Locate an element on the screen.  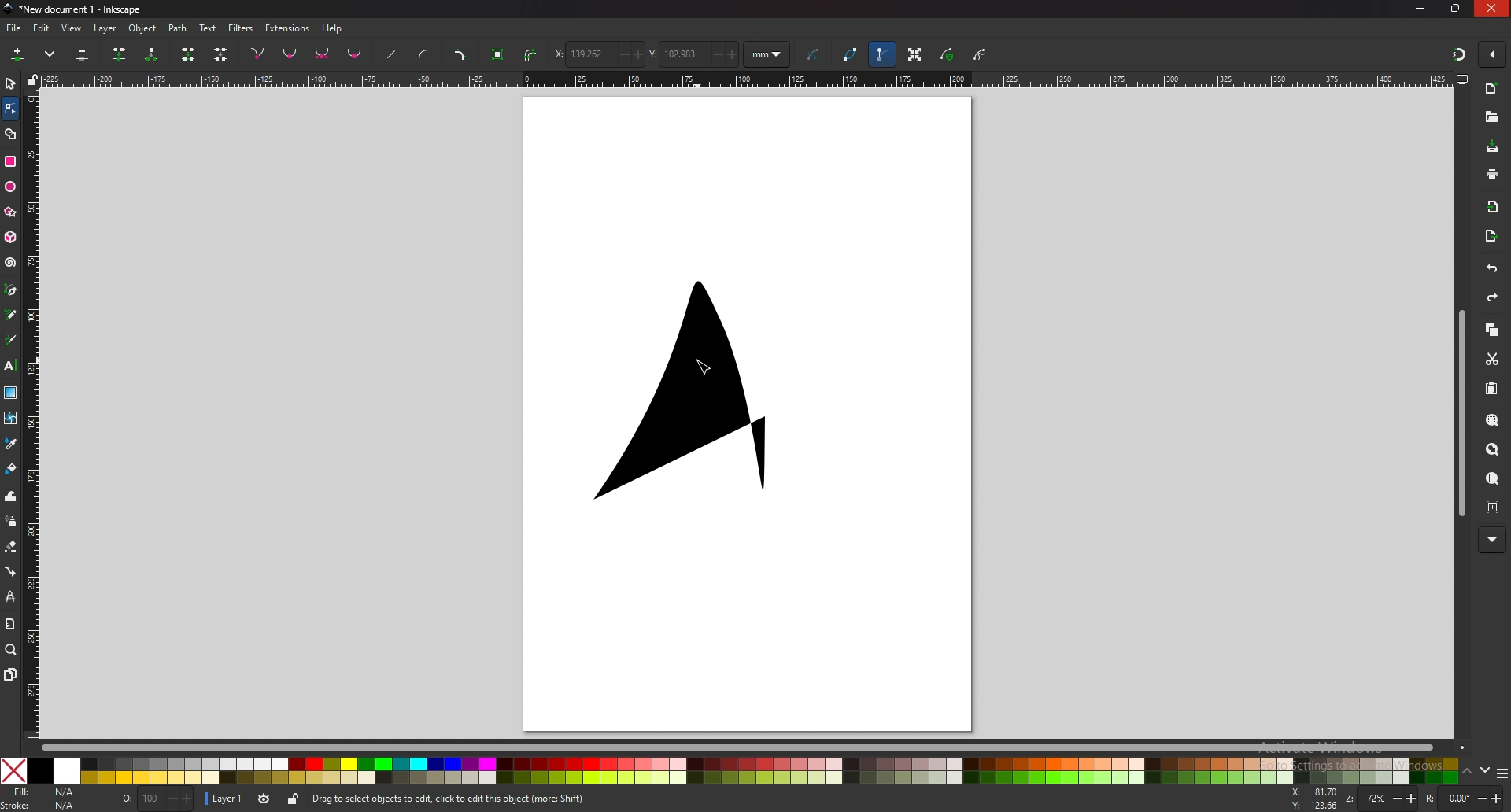
copy is located at coordinates (1492, 330).